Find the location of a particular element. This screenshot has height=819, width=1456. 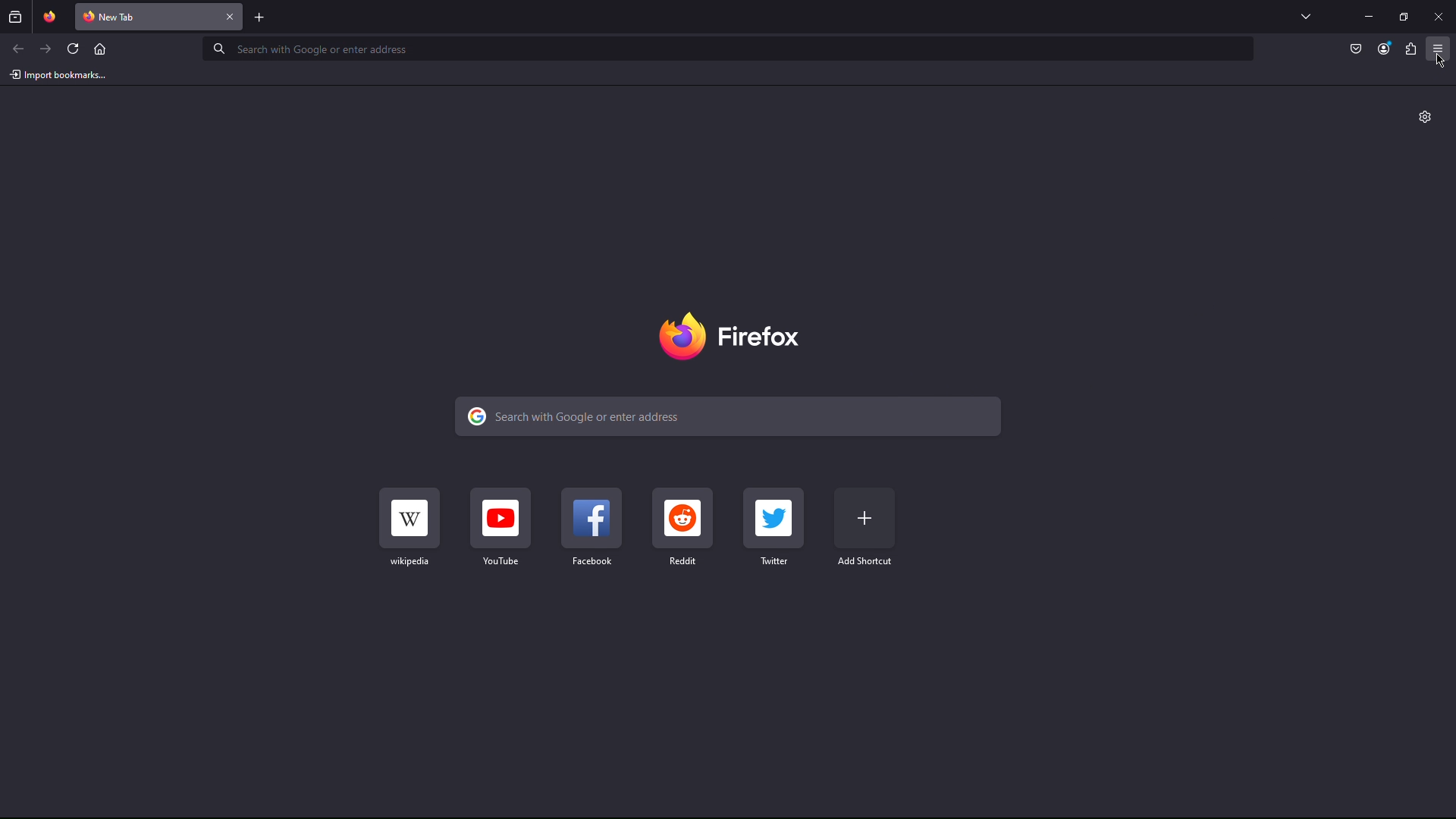

Back is located at coordinates (18, 49).